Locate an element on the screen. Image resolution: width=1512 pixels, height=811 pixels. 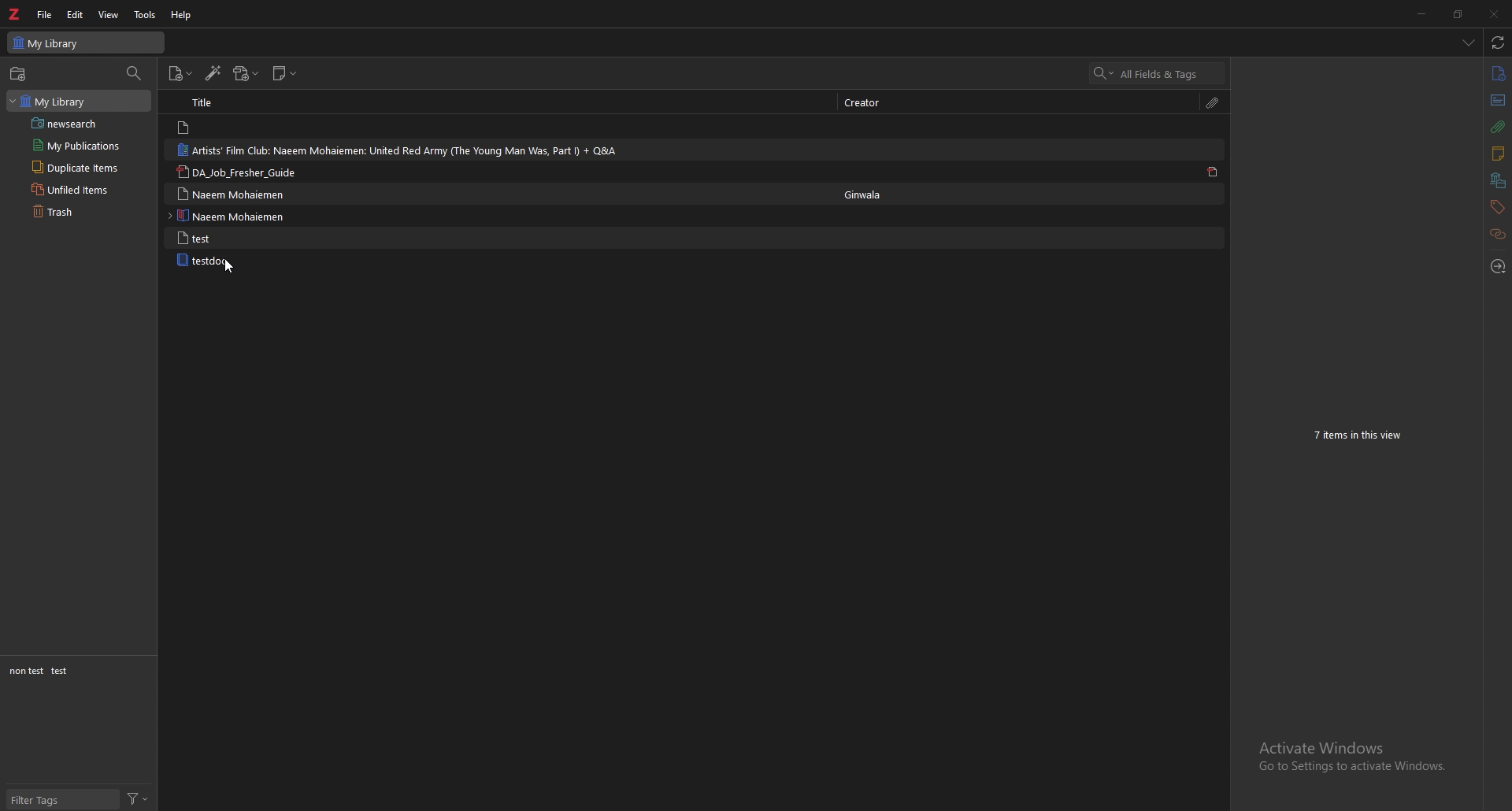
attachment is located at coordinates (1214, 102).